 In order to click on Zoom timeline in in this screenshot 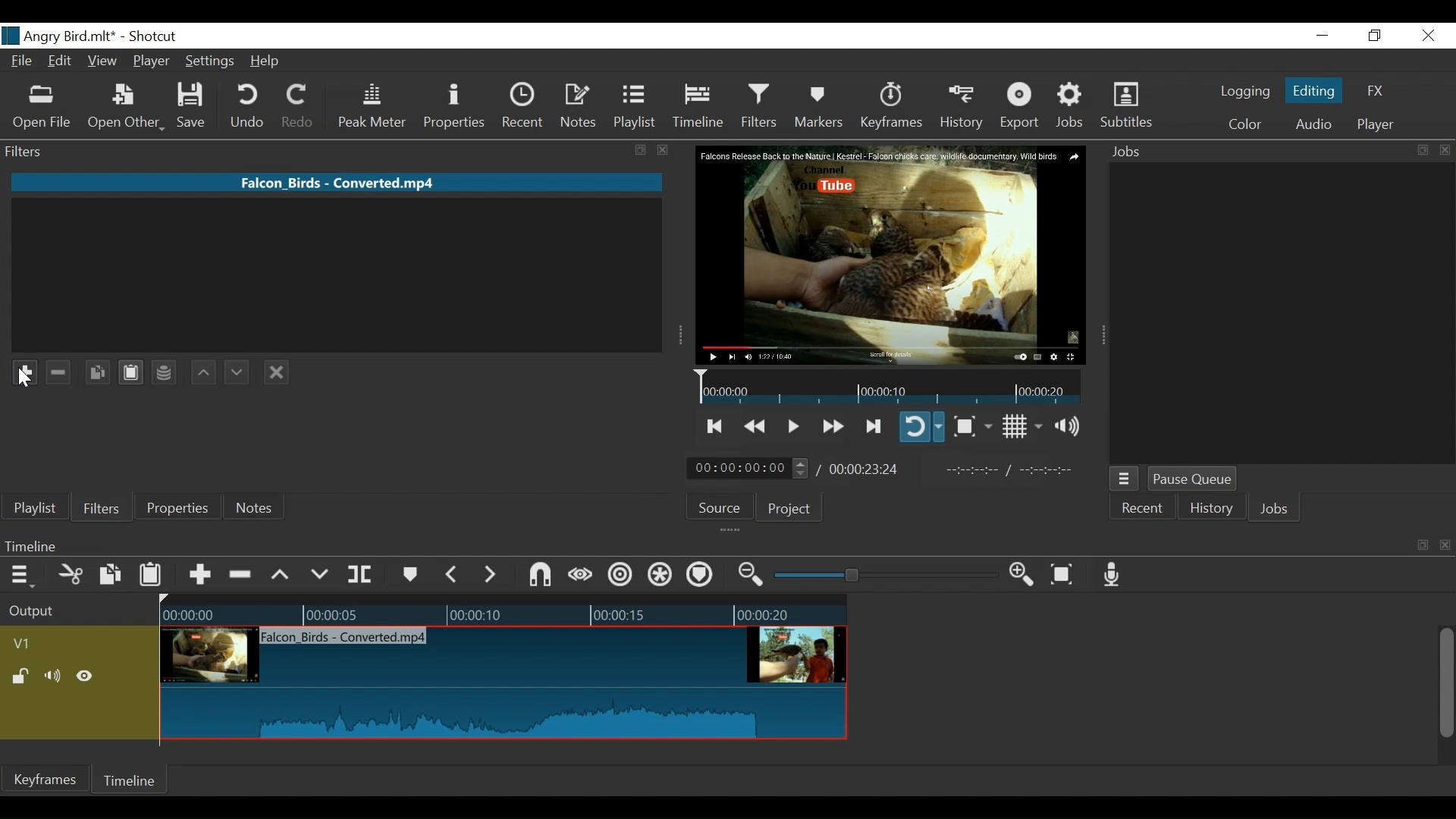, I will do `click(1026, 576)`.